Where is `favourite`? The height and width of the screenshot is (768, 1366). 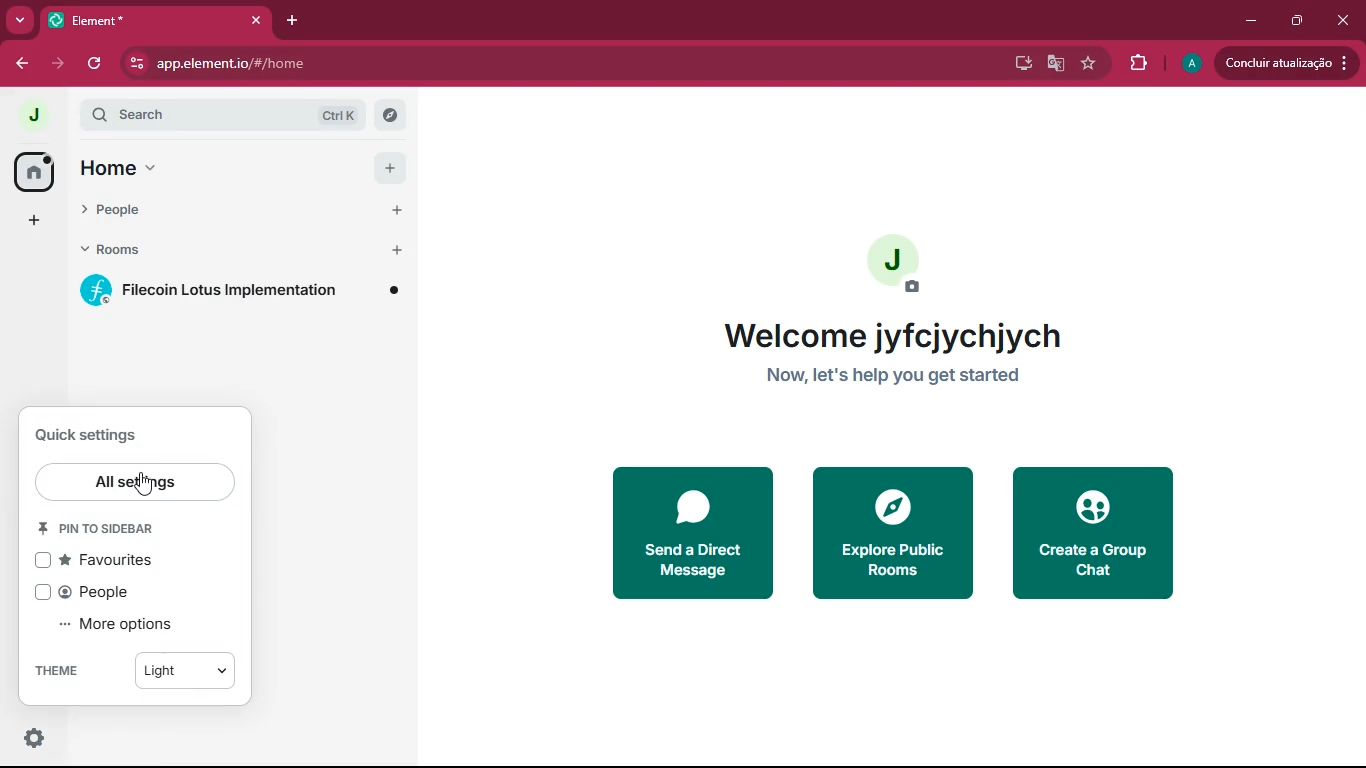 favourite is located at coordinates (1091, 67).